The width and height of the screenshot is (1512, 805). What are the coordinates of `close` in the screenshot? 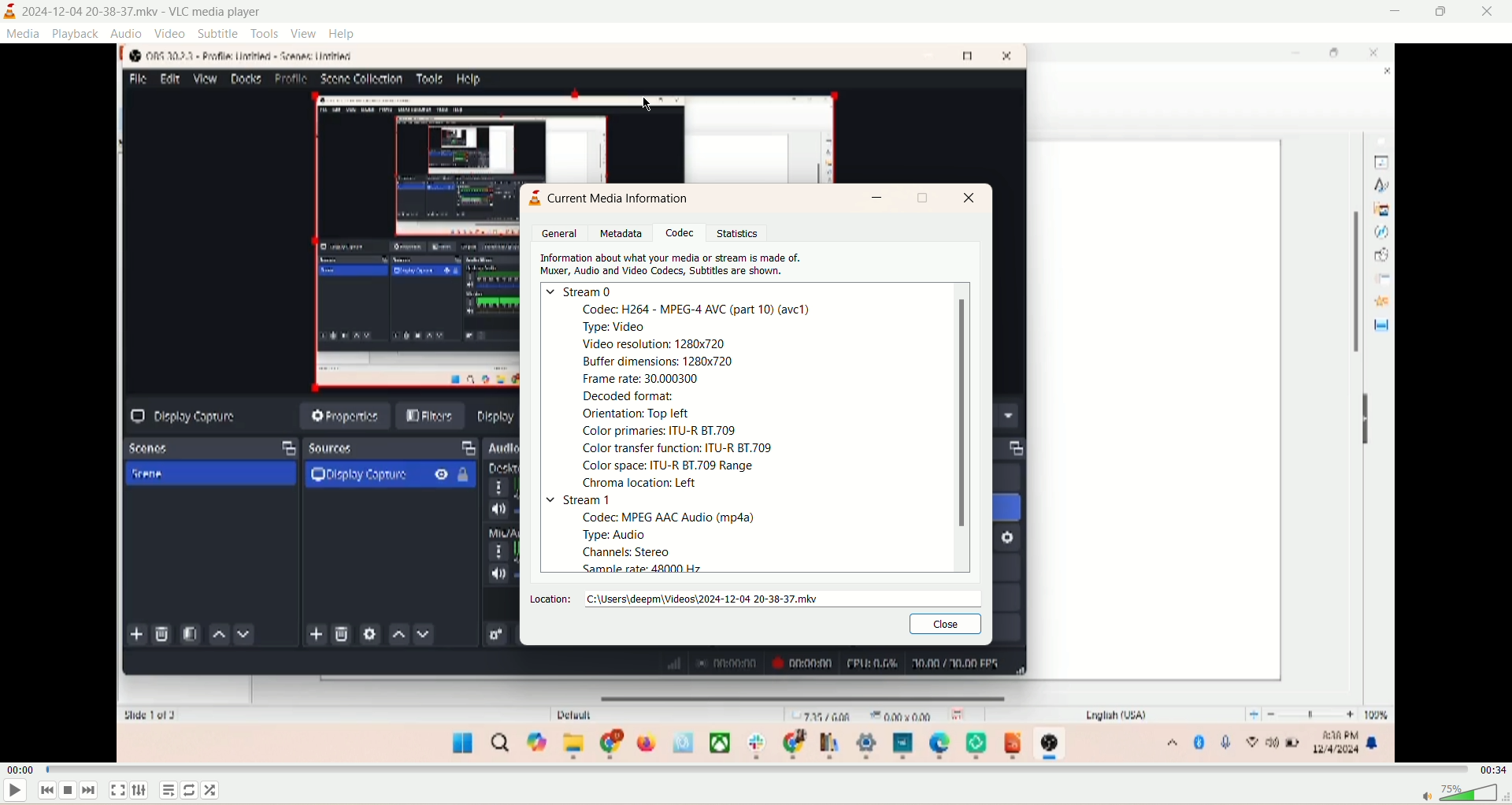 It's located at (943, 623).